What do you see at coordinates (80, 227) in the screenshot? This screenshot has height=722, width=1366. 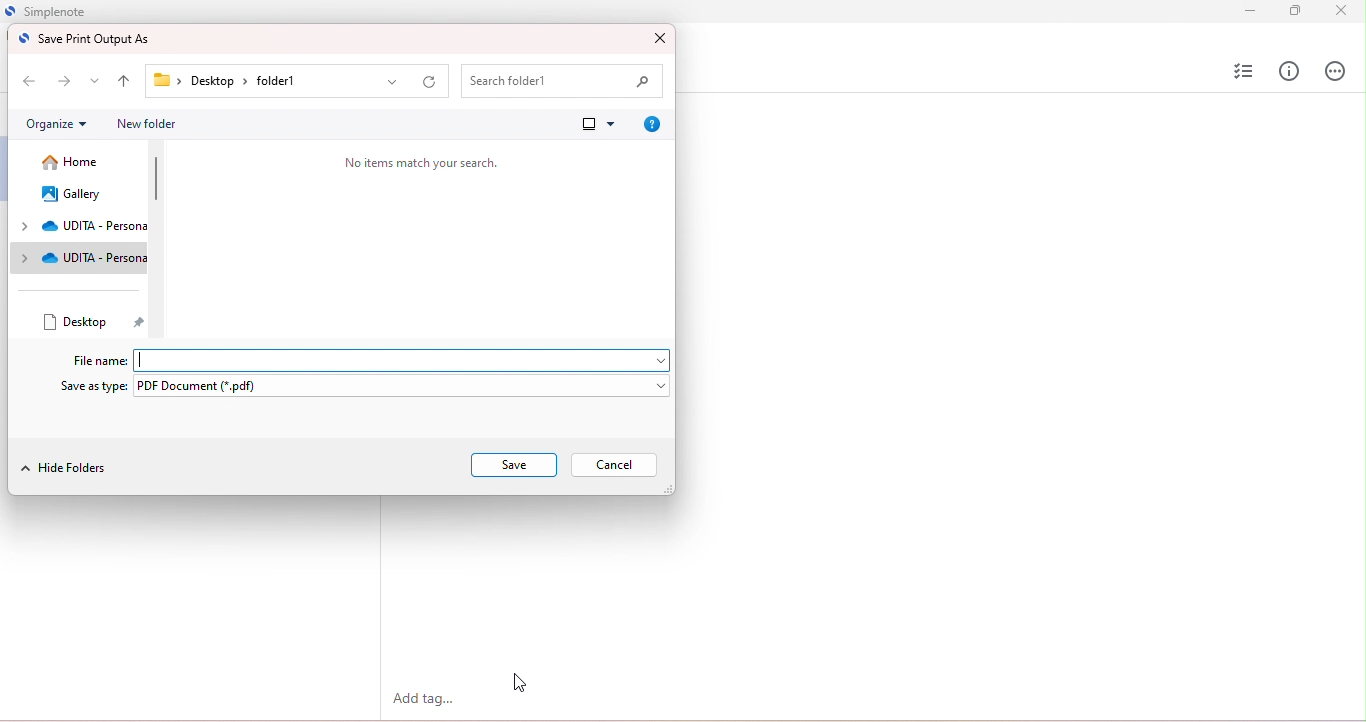 I see `udita-personal` at bounding box center [80, 227].